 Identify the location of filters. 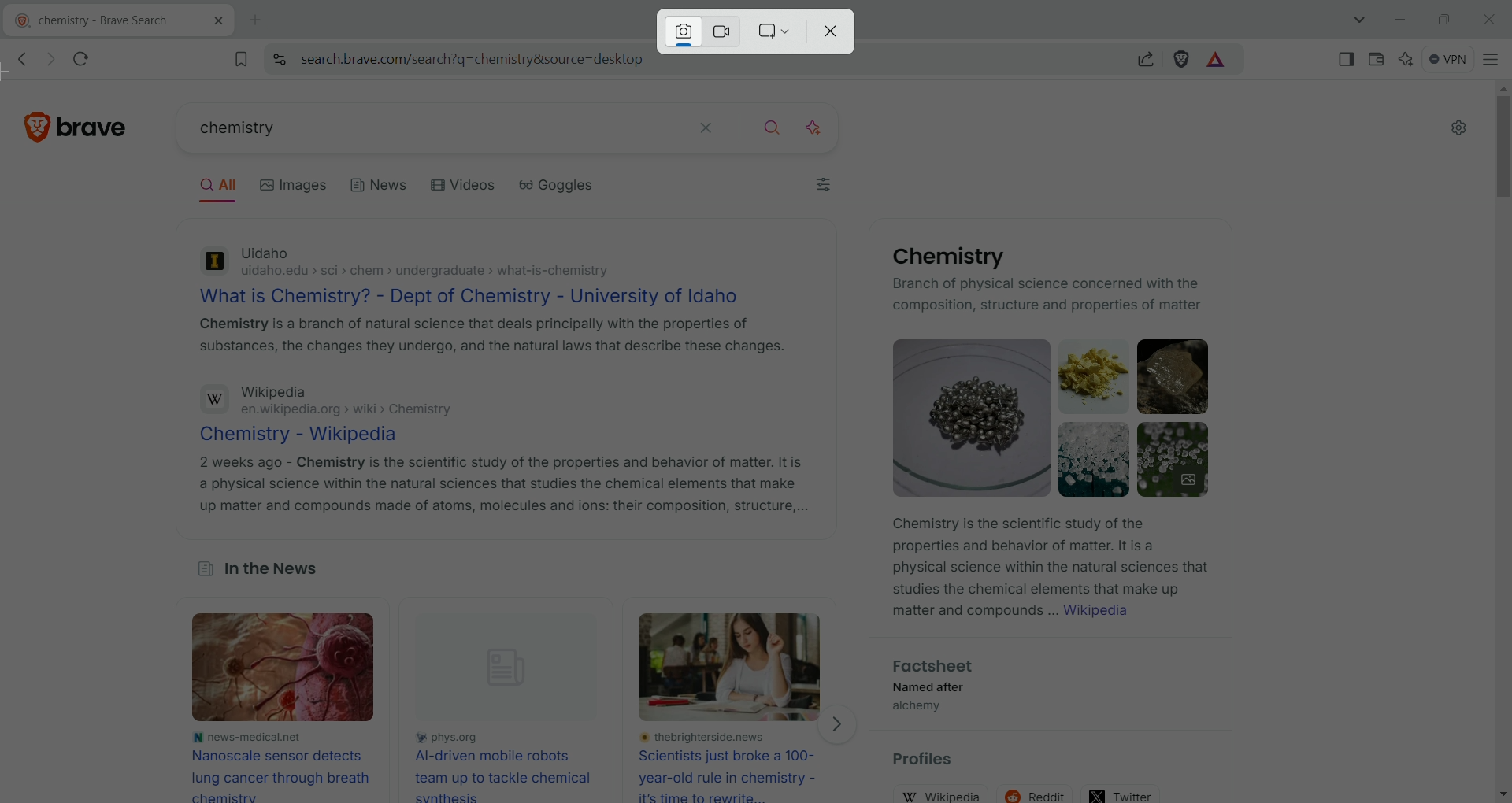
(825, 187).